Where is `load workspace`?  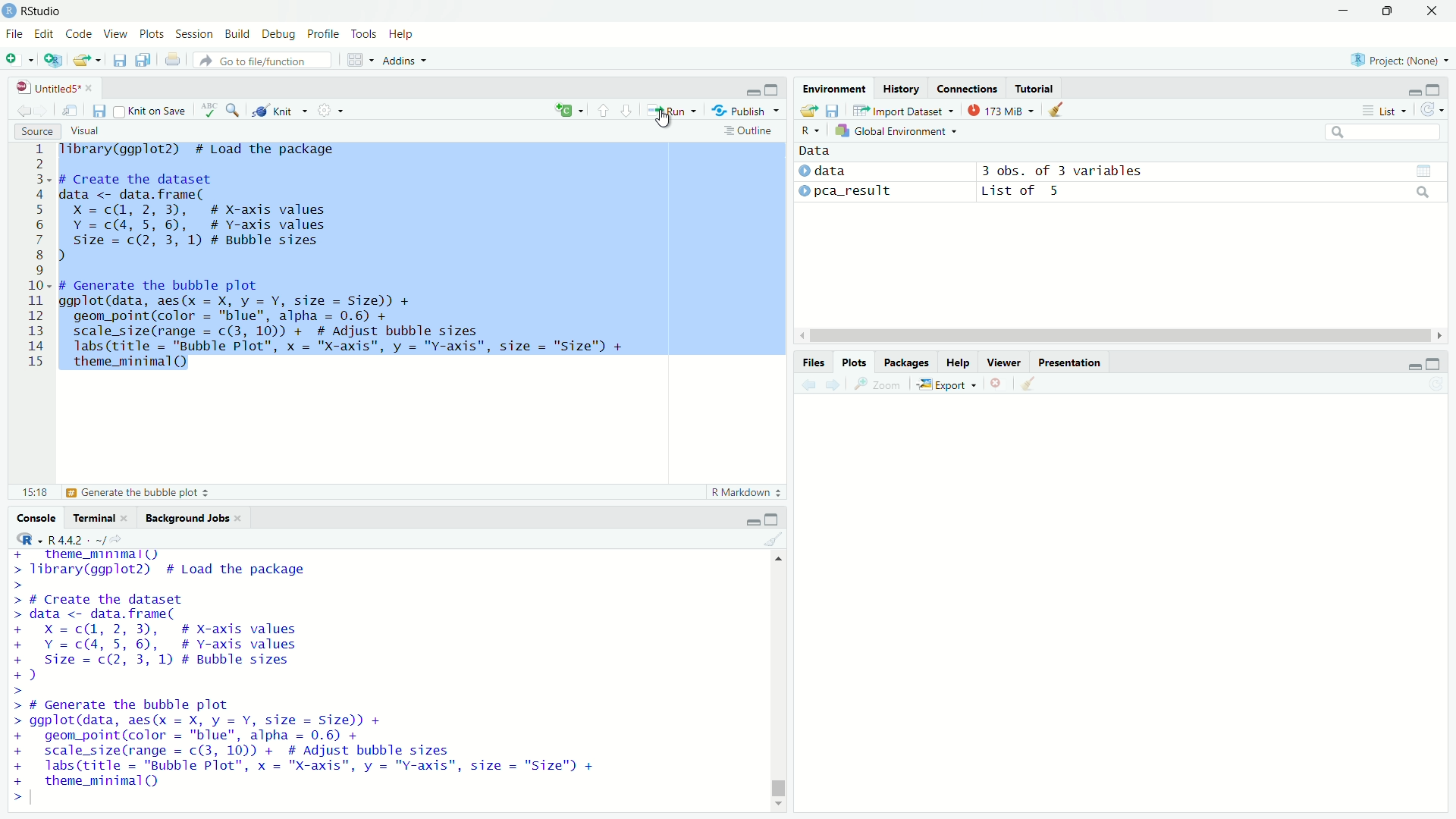
load workspace is located at coordinates (89, 60).